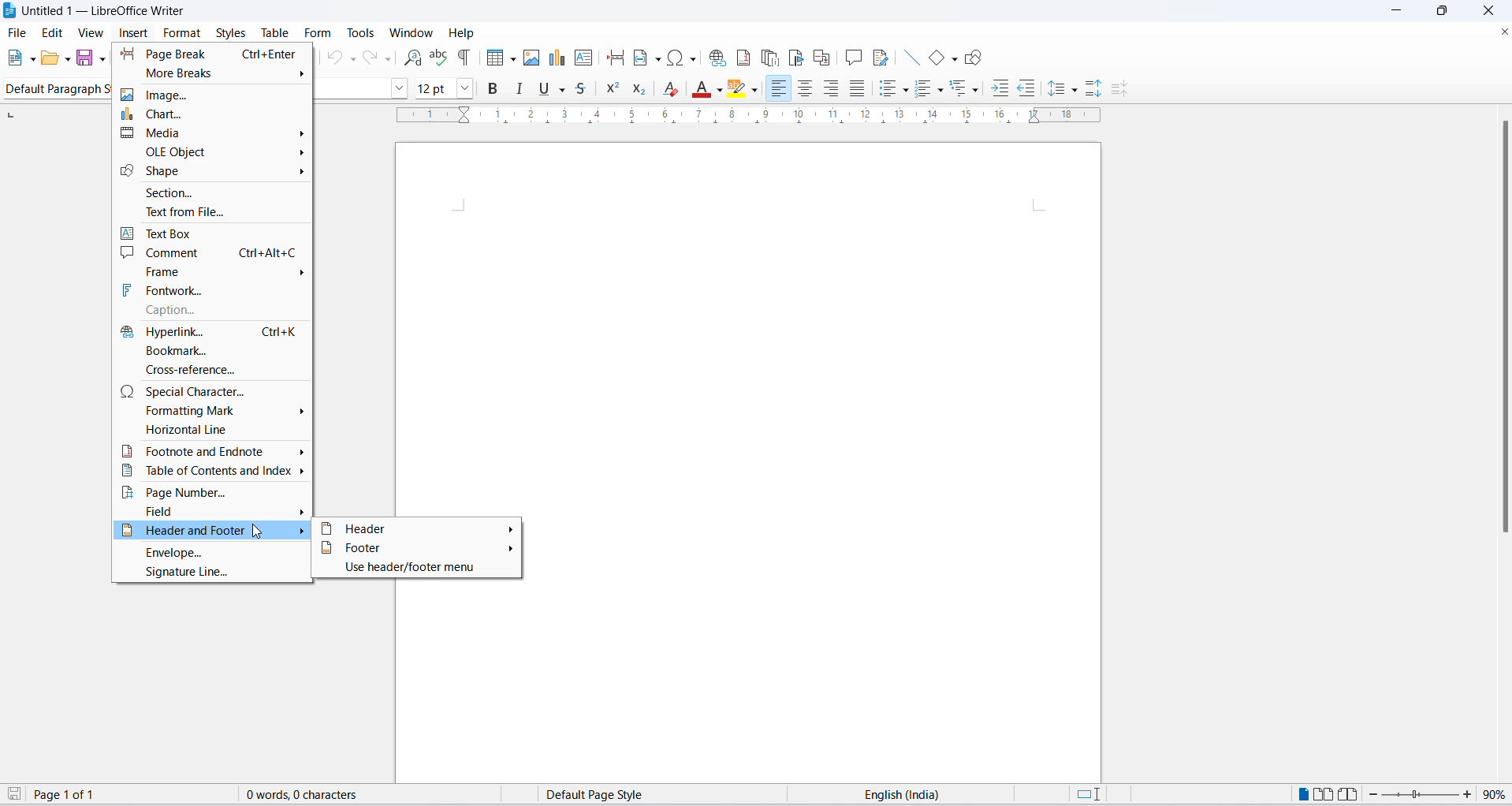  Describe the element at coordinates (683, 58) in the screenshot. I see `insert special characters` at that location.